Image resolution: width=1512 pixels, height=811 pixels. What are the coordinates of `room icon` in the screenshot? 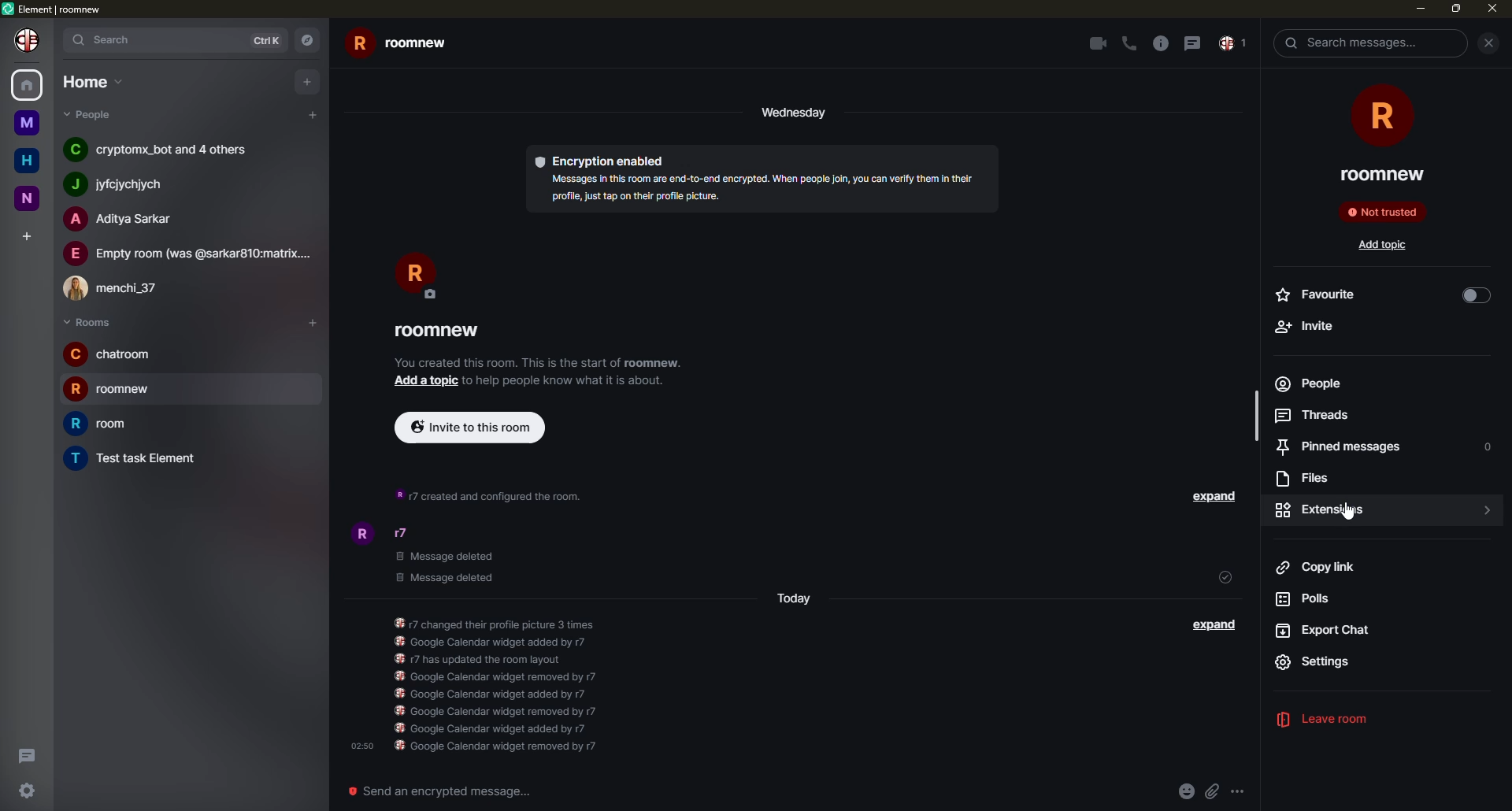 It's located at (1375, 117).